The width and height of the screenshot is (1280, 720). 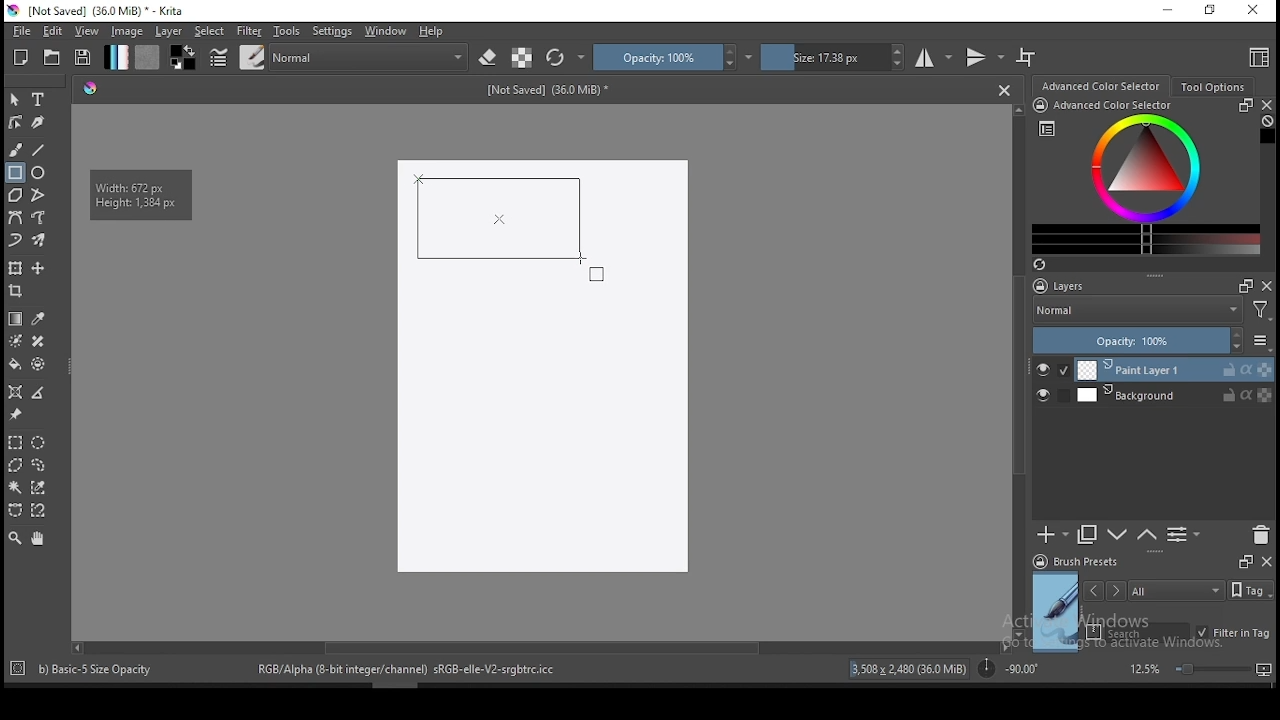 I want to click on close docker, so click(x=1267, y=285).